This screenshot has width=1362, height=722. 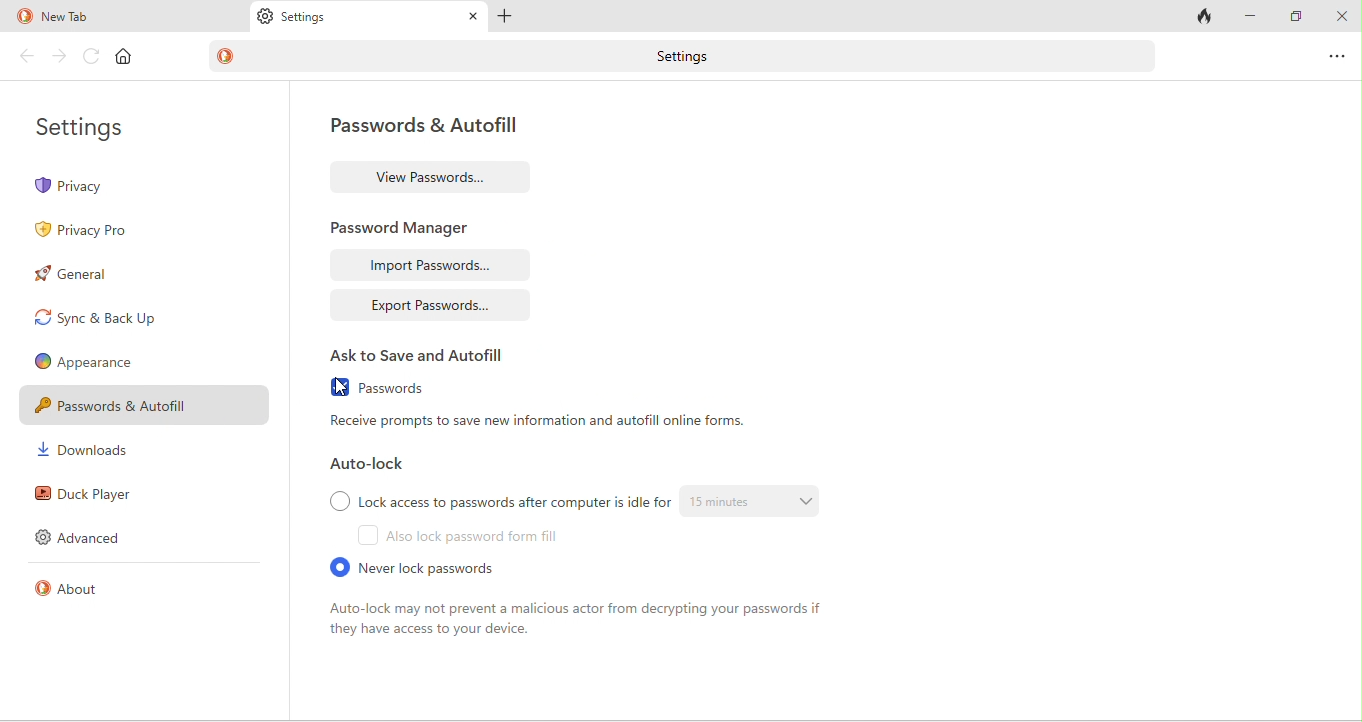 What do you see at coordinates (1253, 17) in the screenshot?
I see `minimize` at bounding box center [1253, 17].